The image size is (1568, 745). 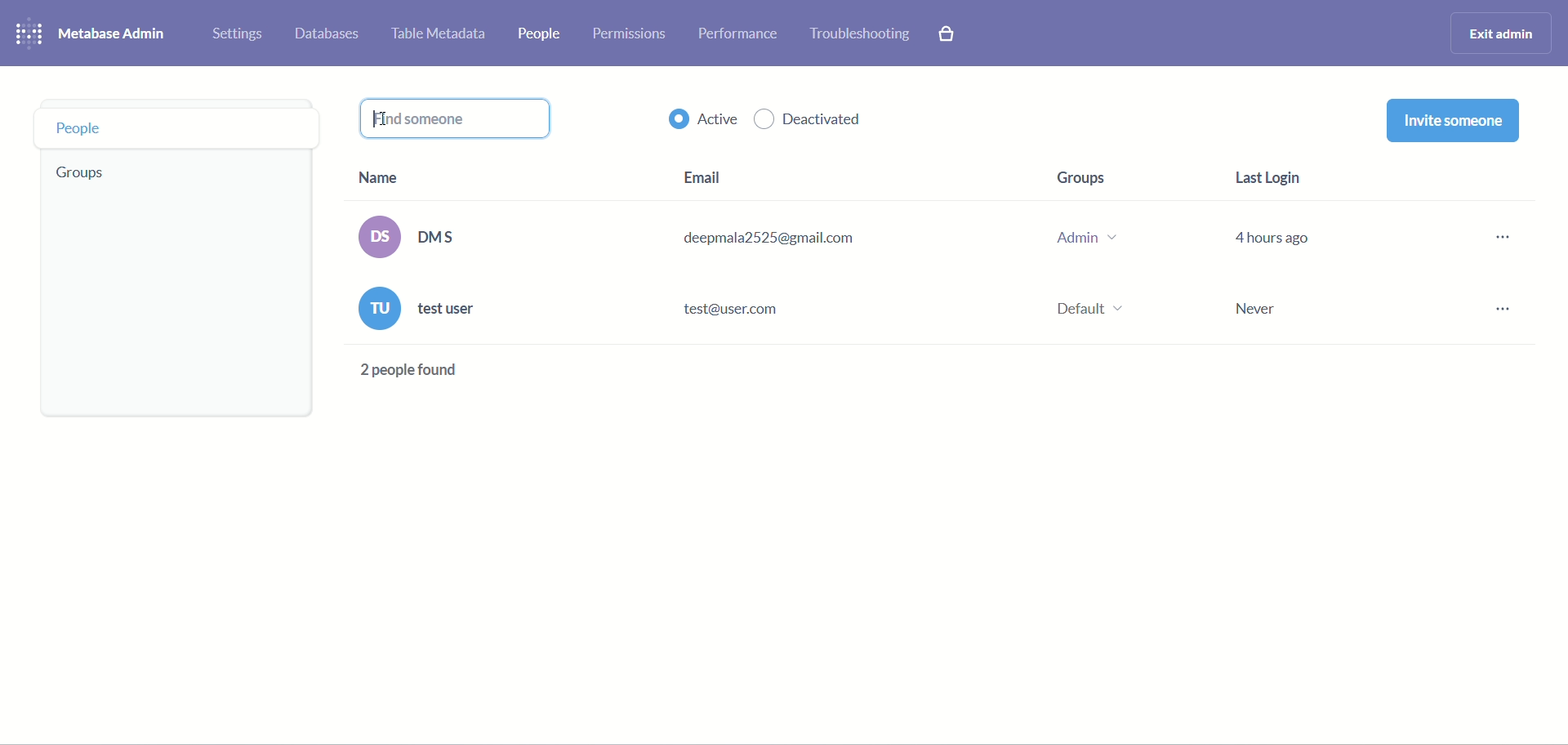 I want to click on logo, so click(x=28, y=35).